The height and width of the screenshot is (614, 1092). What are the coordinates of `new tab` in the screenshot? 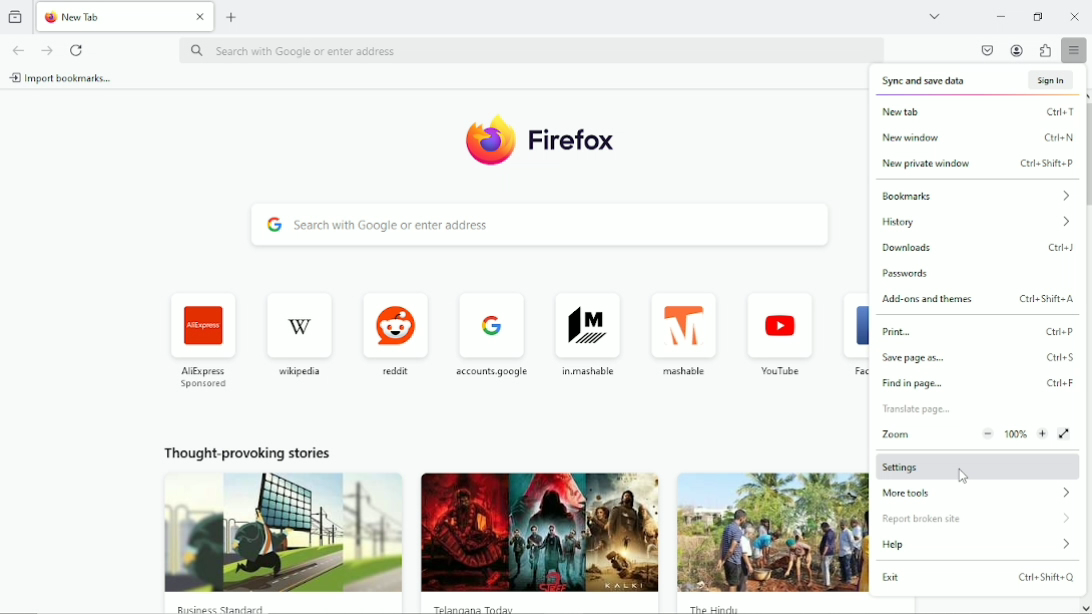 It's located at (232, 17).